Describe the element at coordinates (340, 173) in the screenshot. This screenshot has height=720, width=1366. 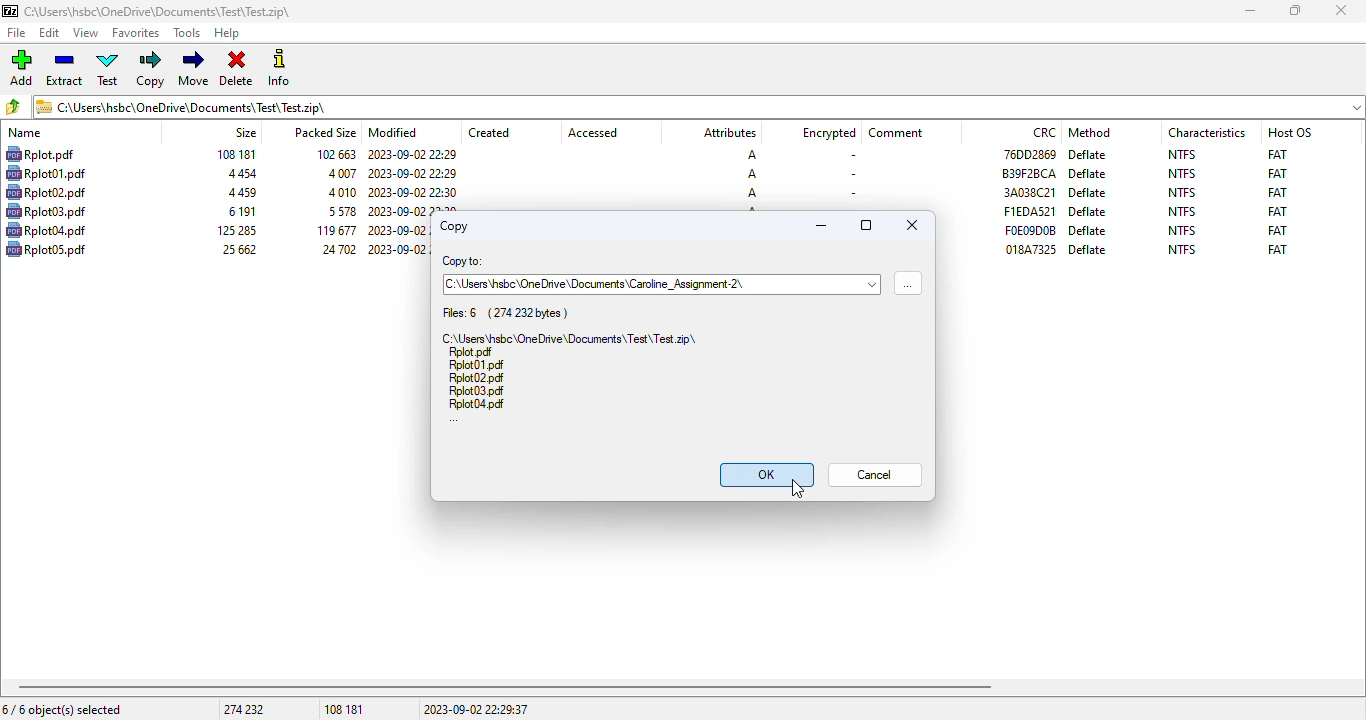
I see `packed size` at that location.